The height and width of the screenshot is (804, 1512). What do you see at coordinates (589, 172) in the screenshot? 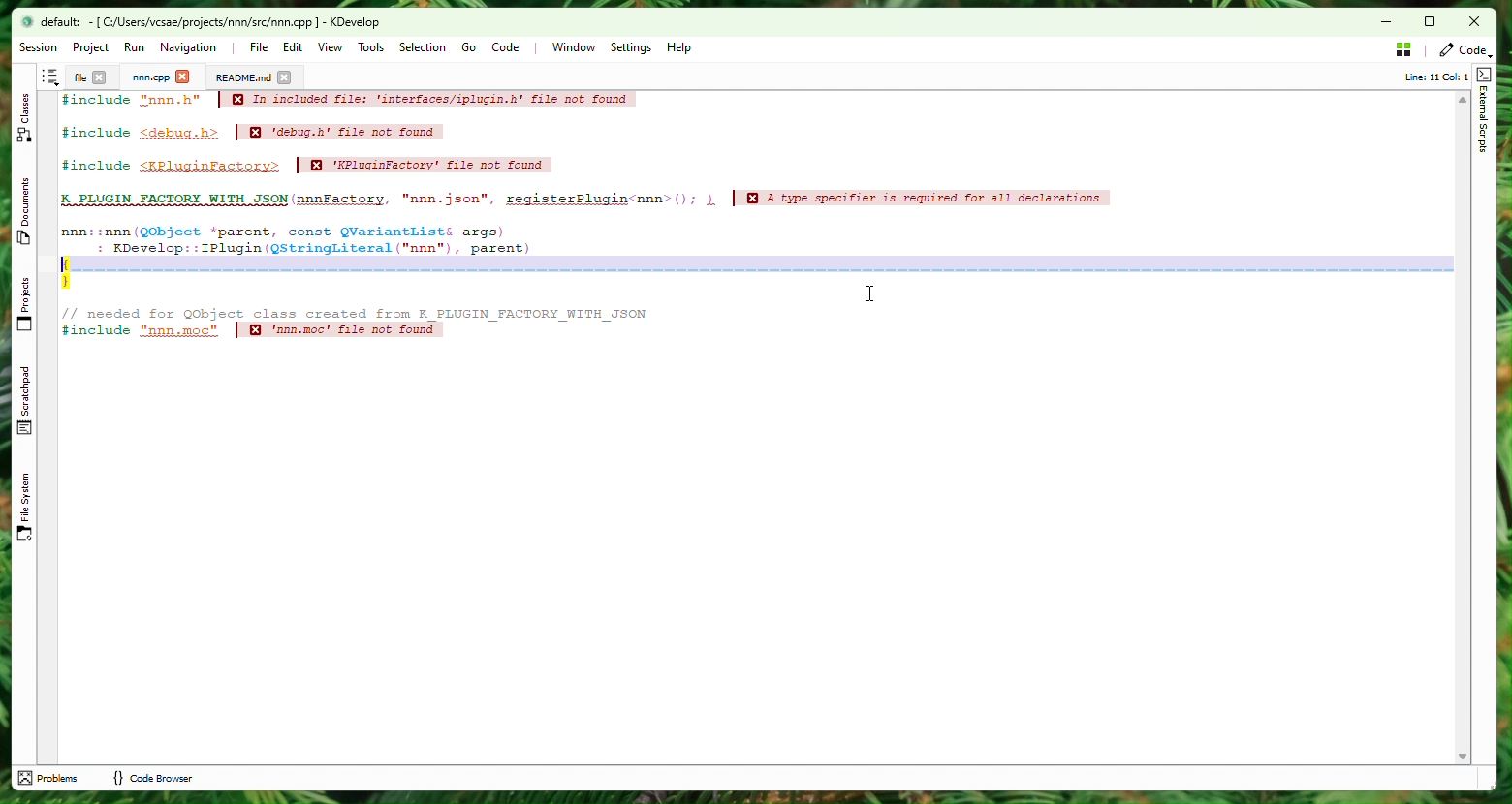
I see `Code` at bounding box center [589, 172].